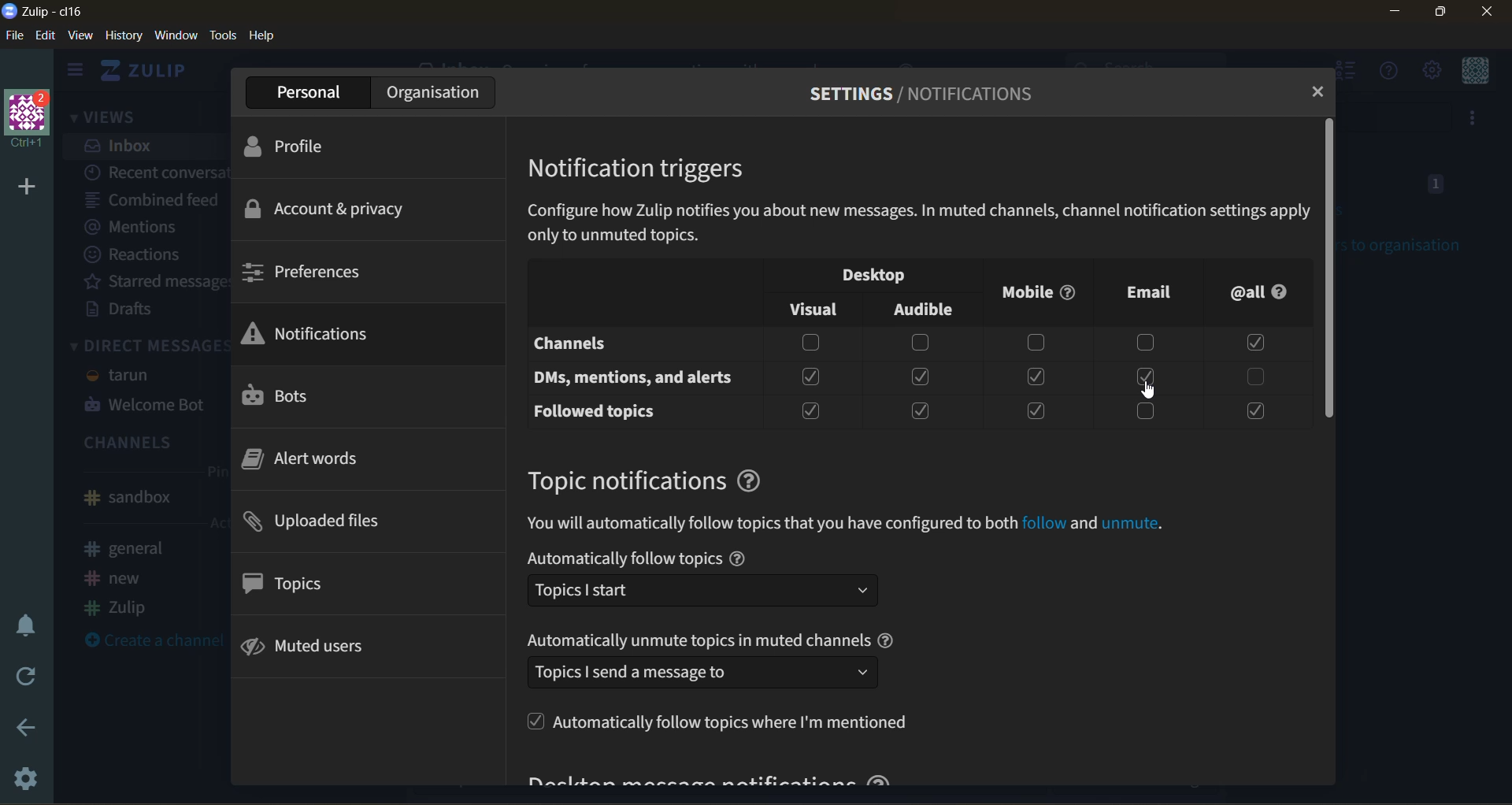 This screenshot has height=805, width=1512. Describe the element at coordinates (1035, 377) in the screenshot. I see `checkbox` at that location.